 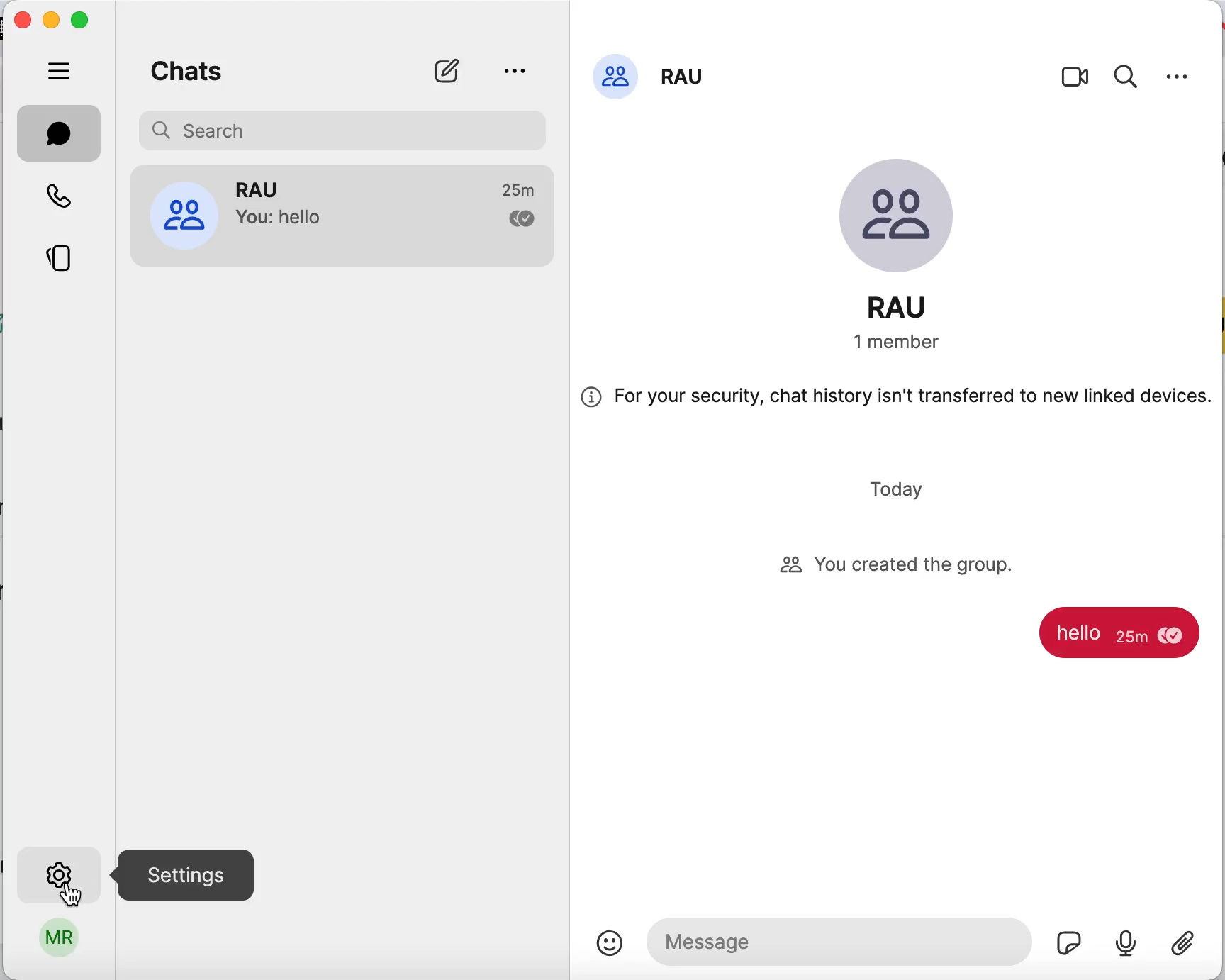 I want to click on user, so click(x=57, y=943).